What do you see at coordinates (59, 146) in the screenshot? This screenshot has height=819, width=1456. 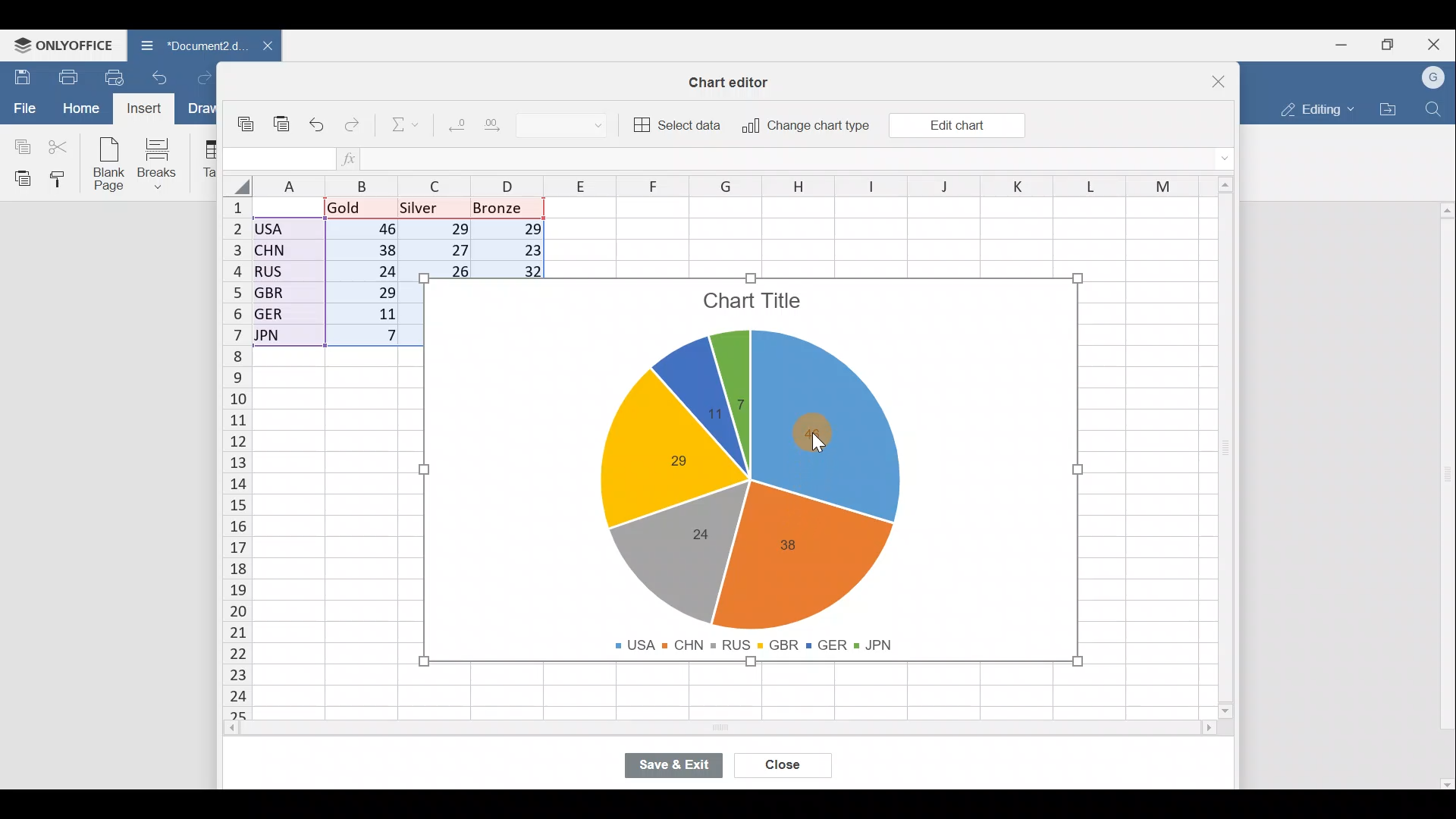 I see `Cut` at bounding box center [59, 146].